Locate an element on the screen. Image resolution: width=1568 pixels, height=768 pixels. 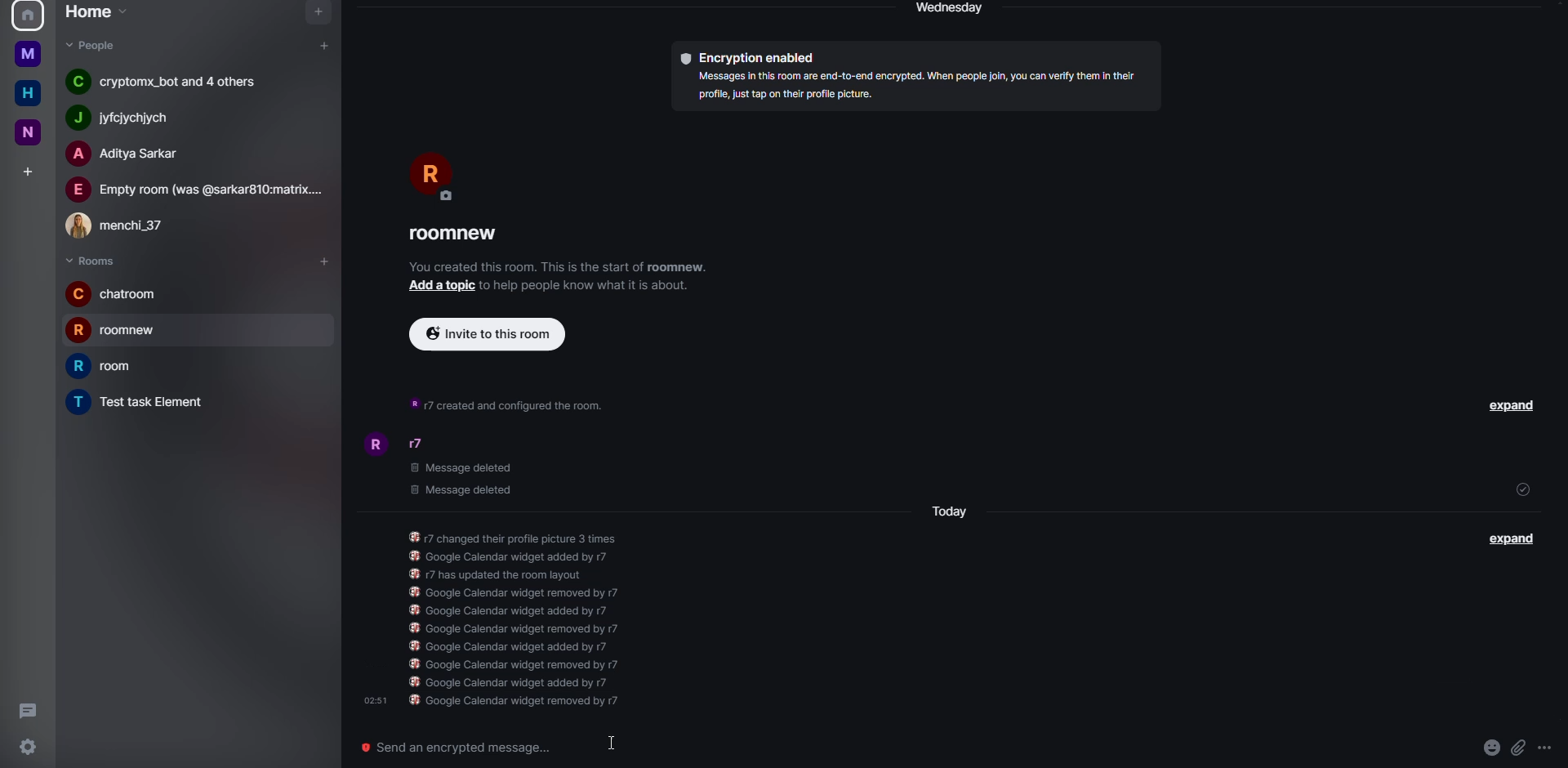
rooms is located at coordinates (91, 260).